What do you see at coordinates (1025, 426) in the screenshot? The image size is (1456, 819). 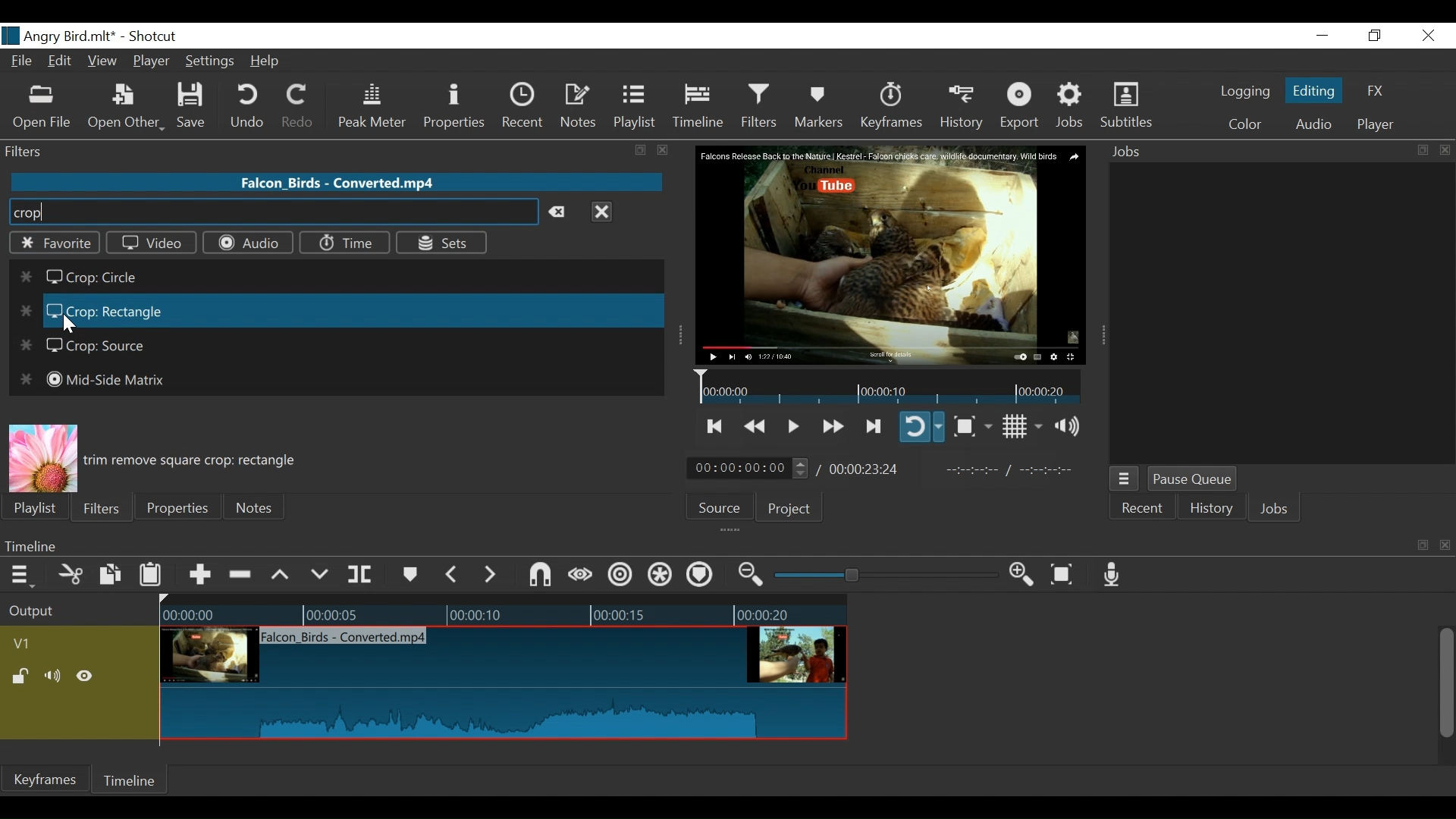 I see `Toggle display grid on player` at bounding box center [1025, 426].